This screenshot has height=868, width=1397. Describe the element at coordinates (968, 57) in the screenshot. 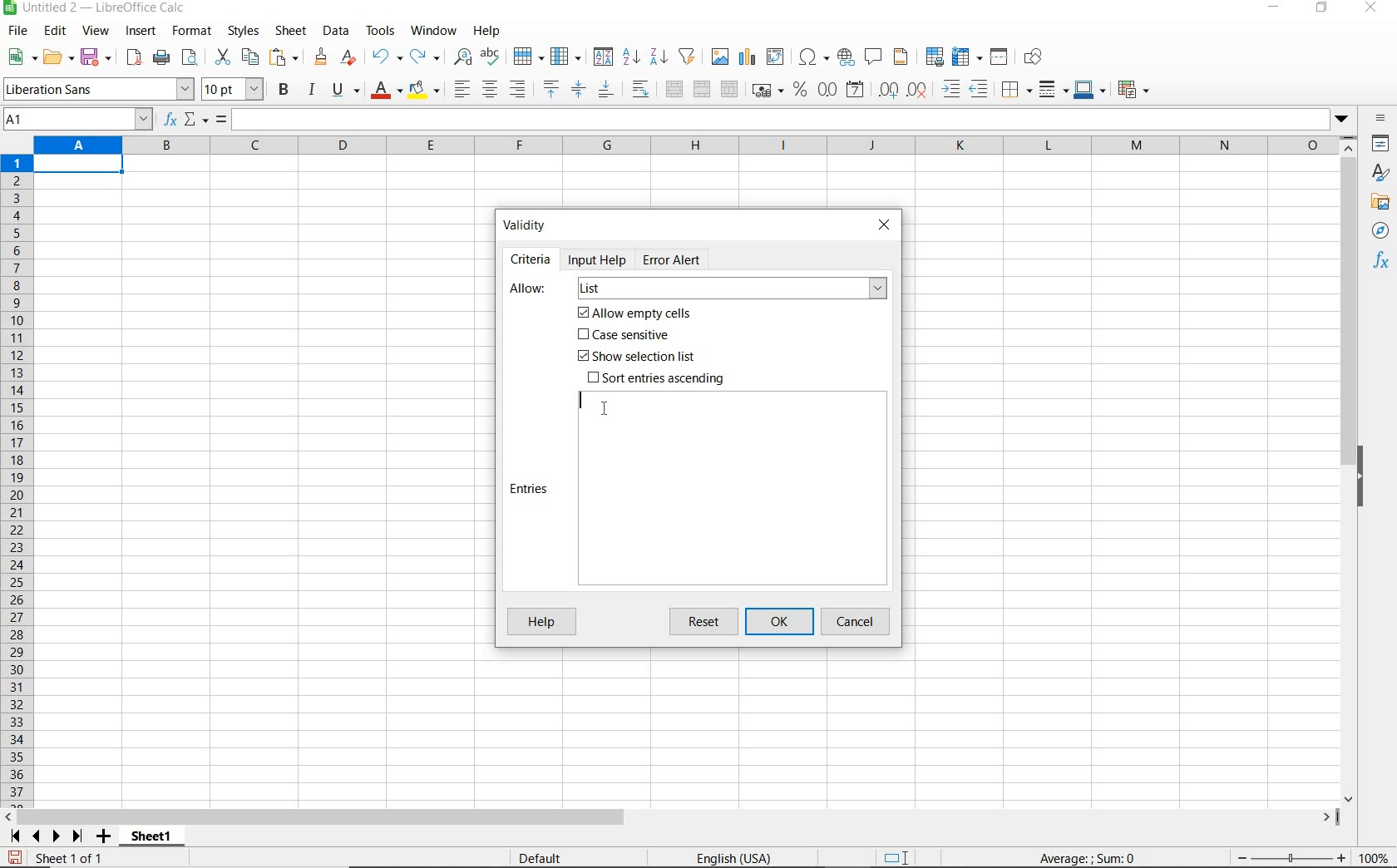

I see `freeze rows and columns` at that location.